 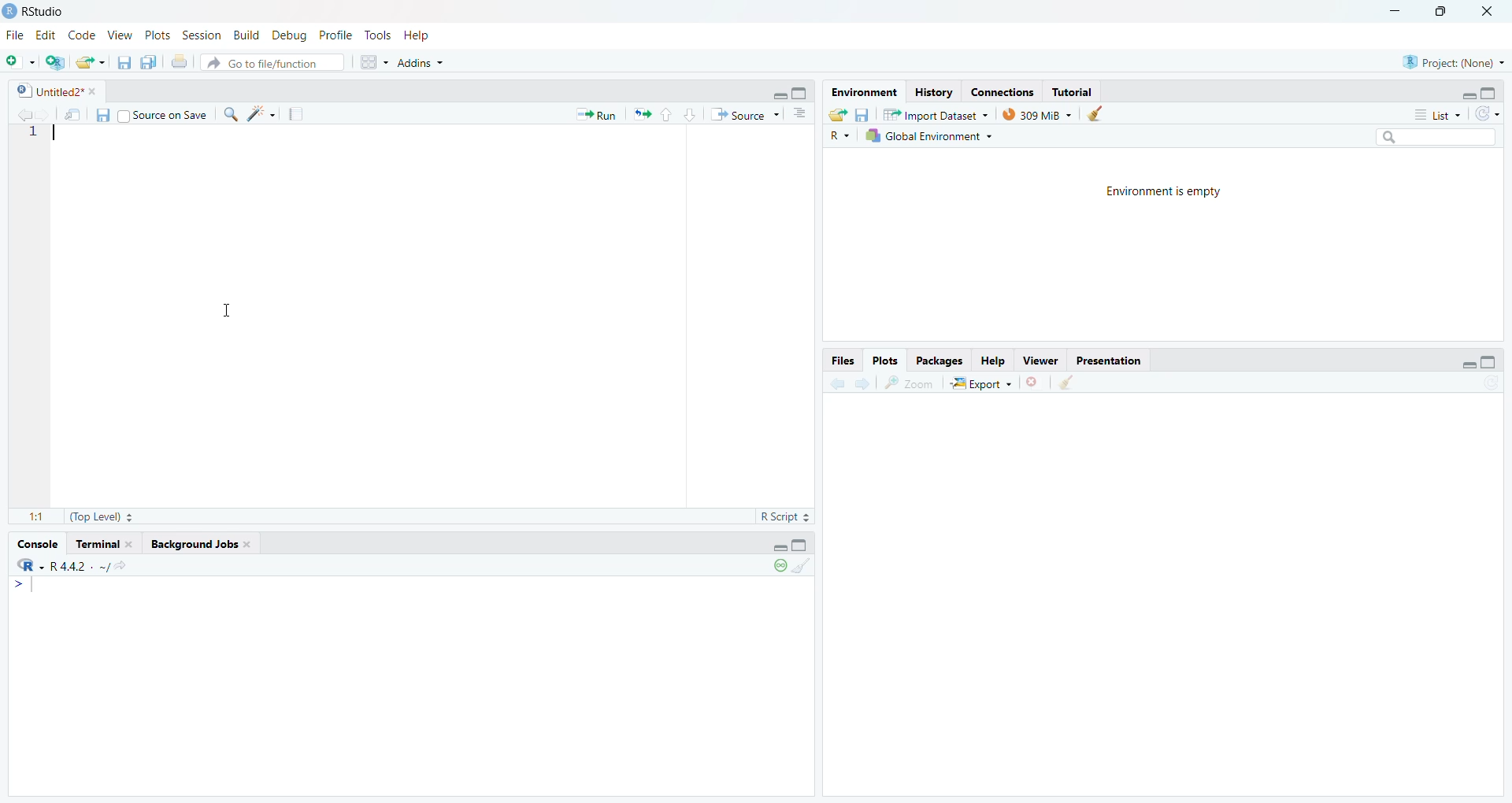 I want to click on files, so click(x=120, y=64).